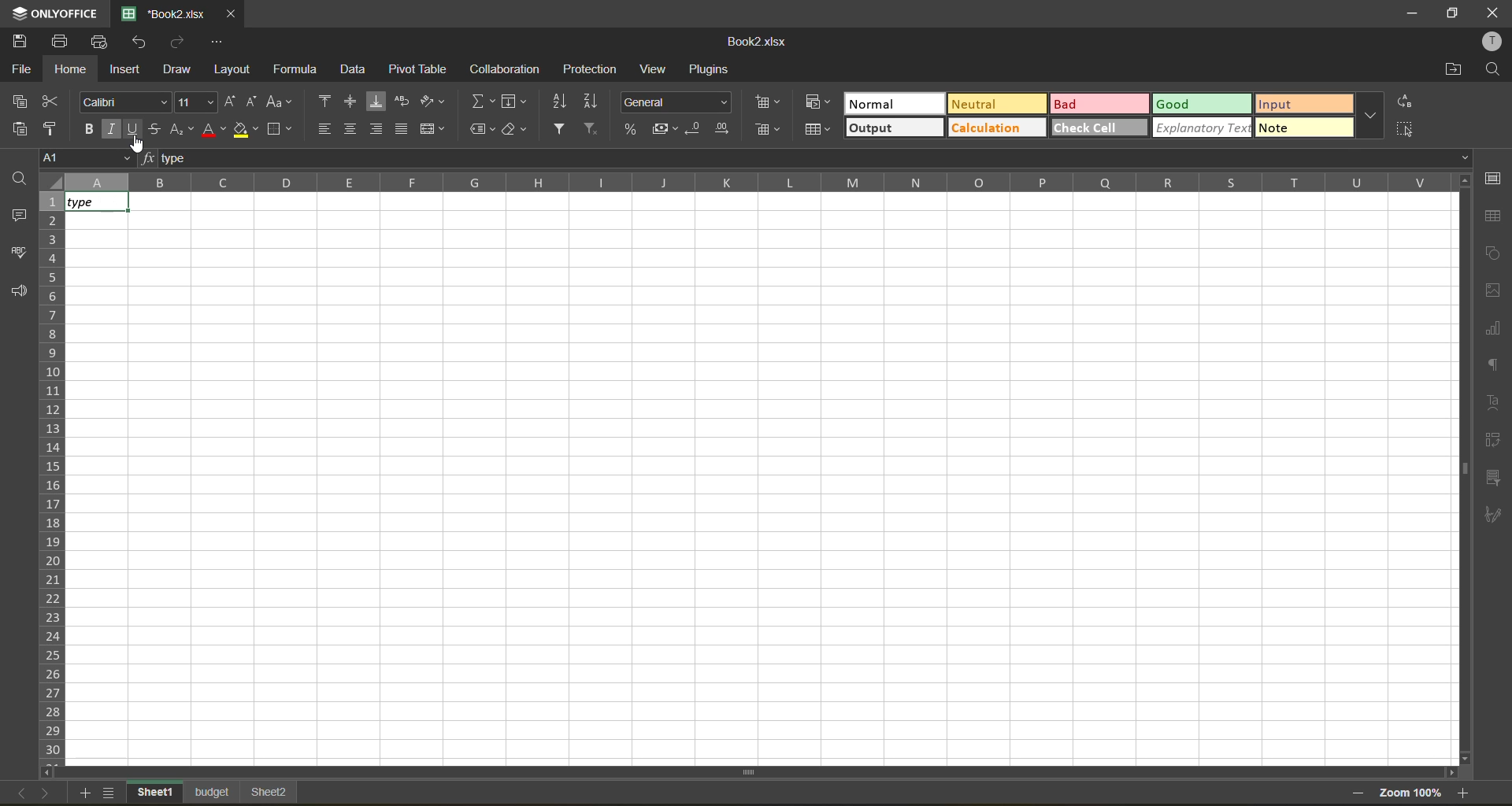  Describe the element at coordinates (768, 102) in the screenshot. I see `insert cells` at that location.